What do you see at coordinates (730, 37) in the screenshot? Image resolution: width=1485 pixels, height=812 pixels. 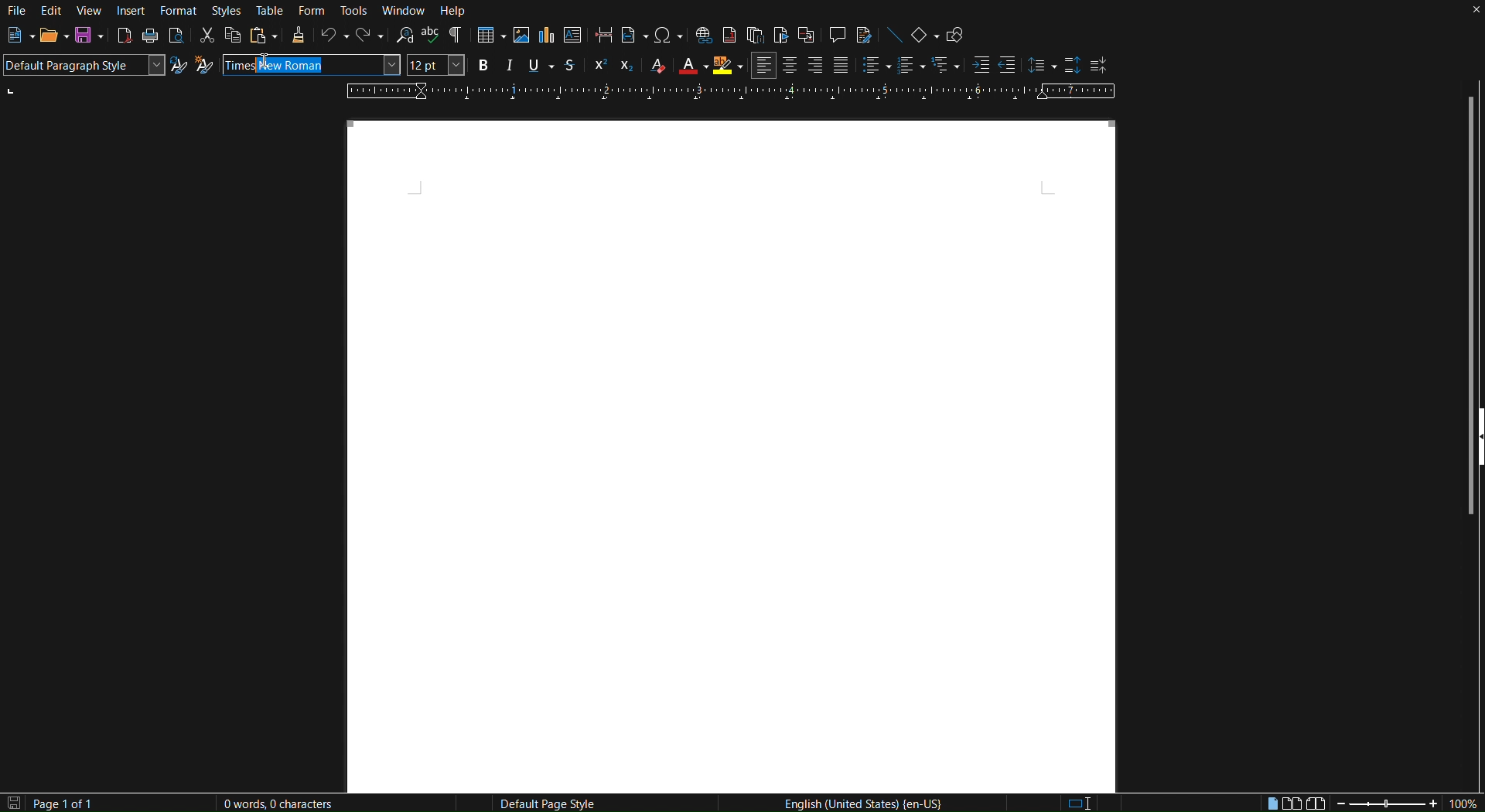 I see `Insert Footnote` at bounding box center [730, 37].